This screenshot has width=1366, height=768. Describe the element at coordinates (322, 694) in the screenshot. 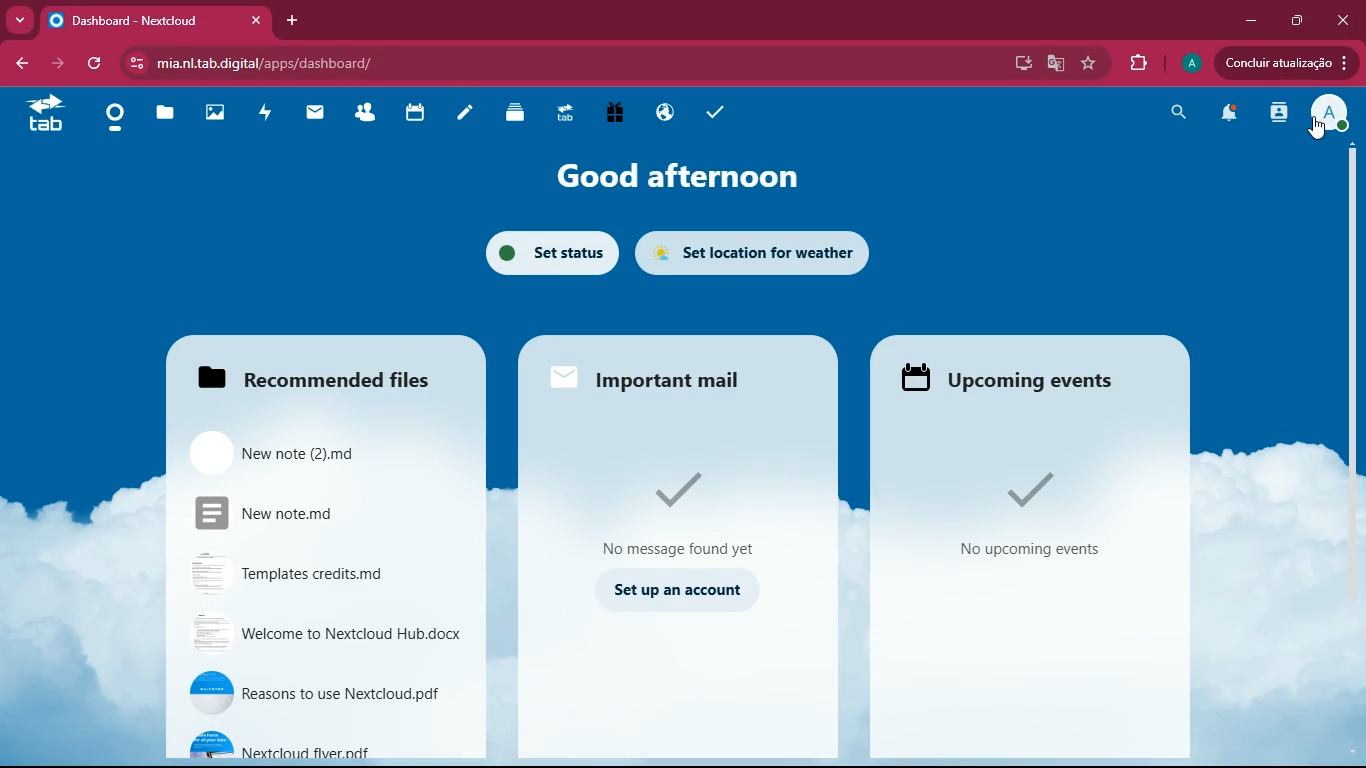

I see `Reasons to use Nextcloud.pdf` at that location.